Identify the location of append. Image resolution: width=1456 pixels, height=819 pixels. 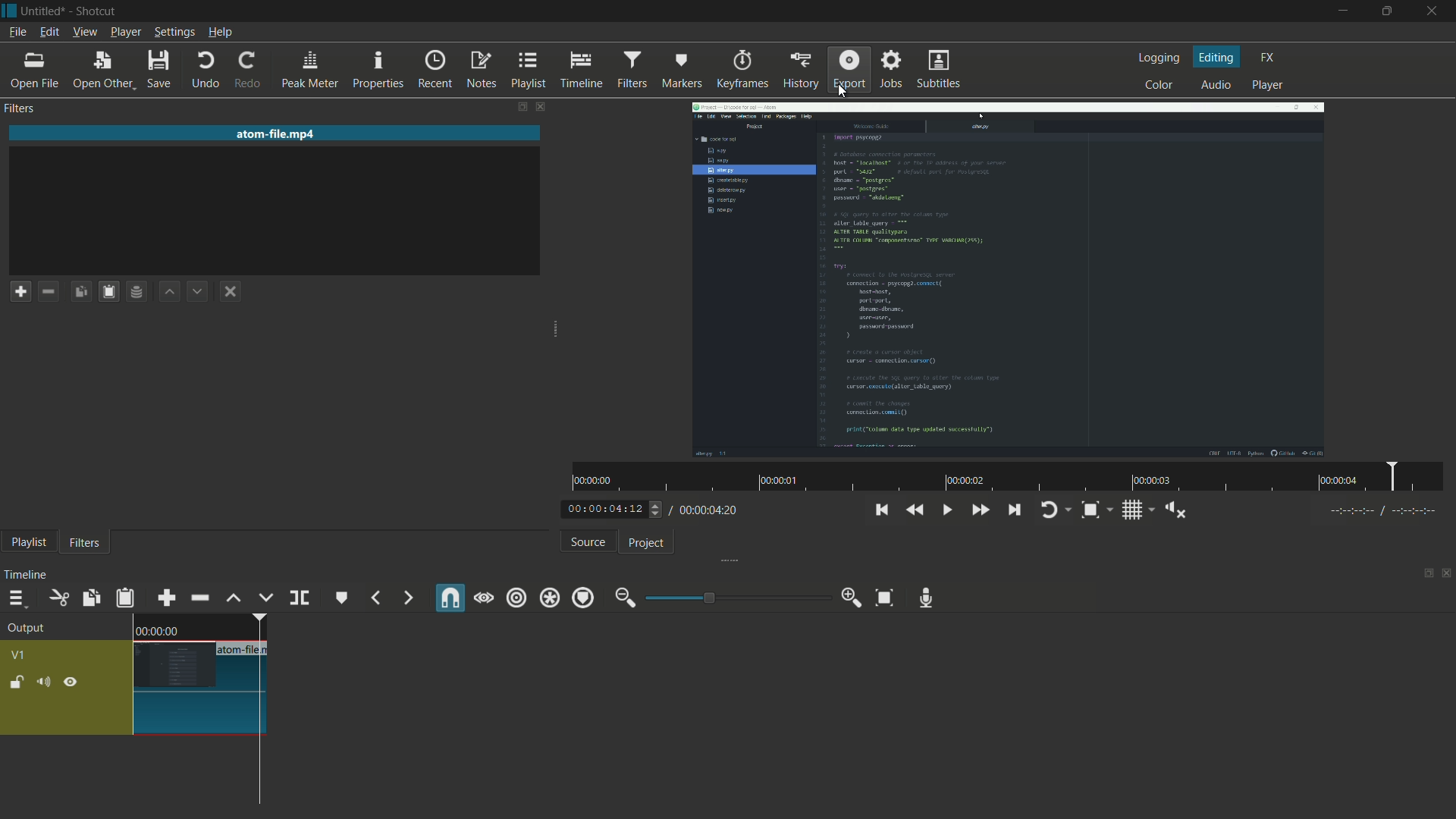
(166, 599).